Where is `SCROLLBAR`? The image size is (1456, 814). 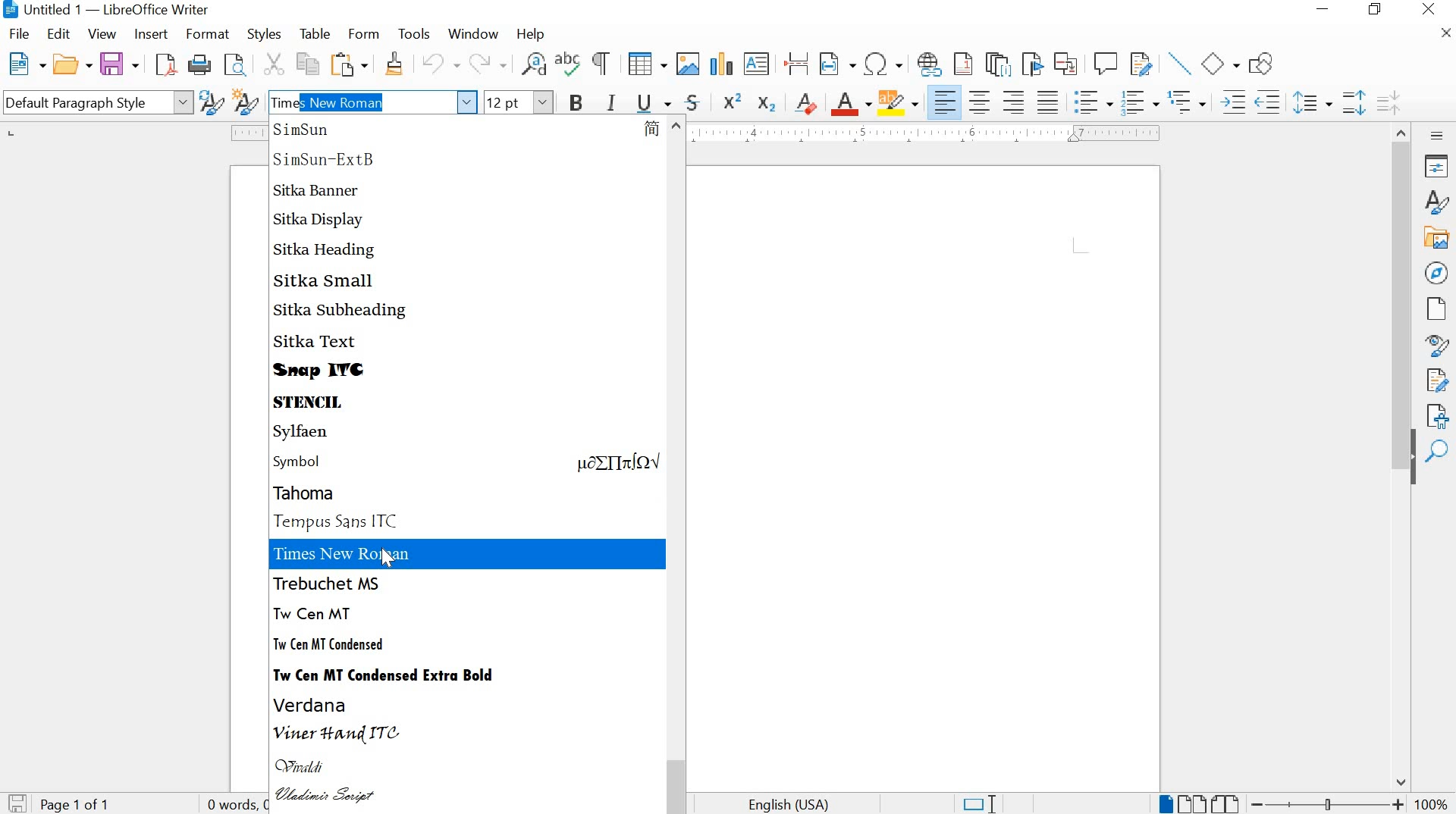
SCROLLBAR is located at coordinates (679, 464).